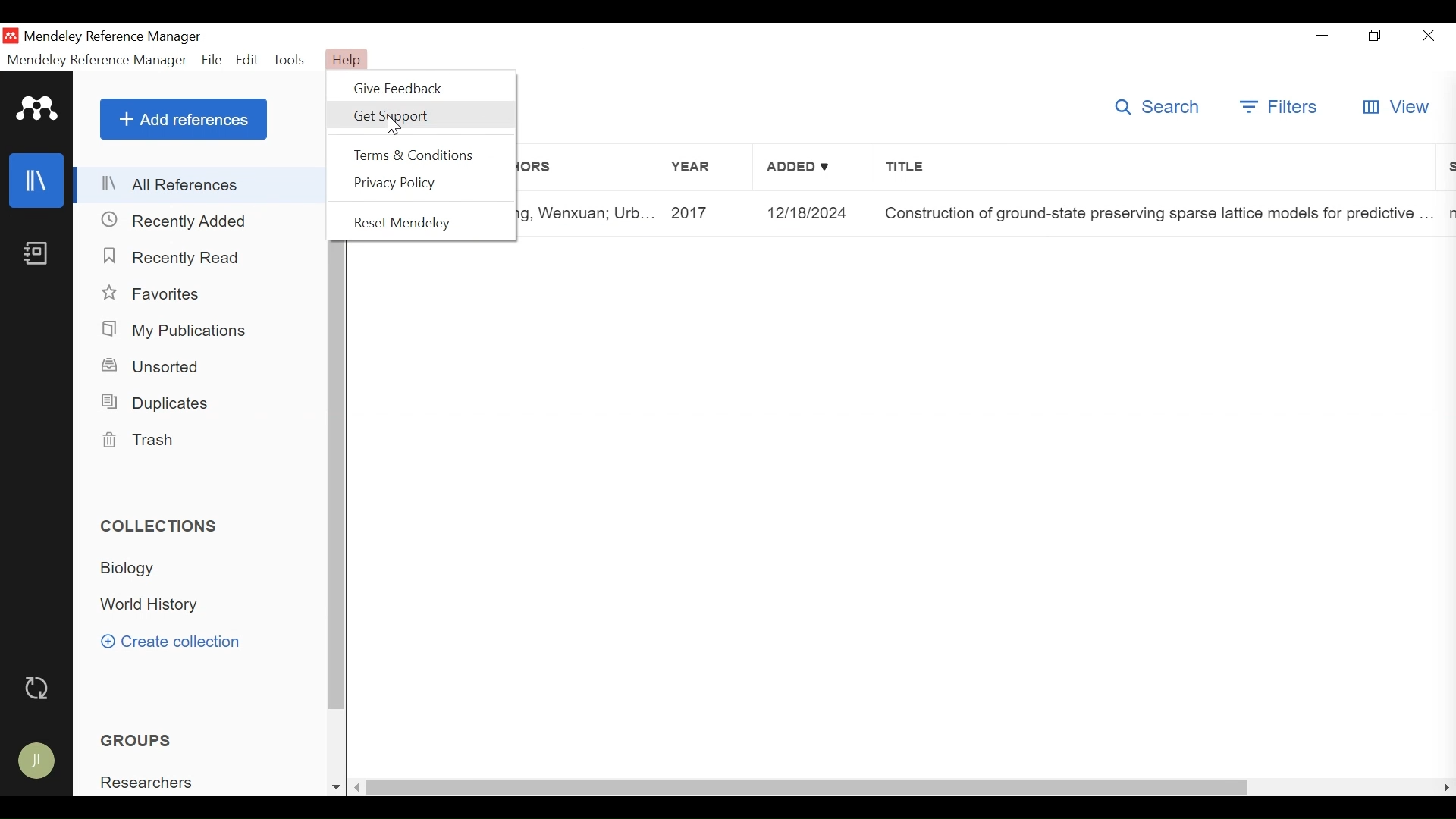  I want to click on Create Collection, so click(175, 642).